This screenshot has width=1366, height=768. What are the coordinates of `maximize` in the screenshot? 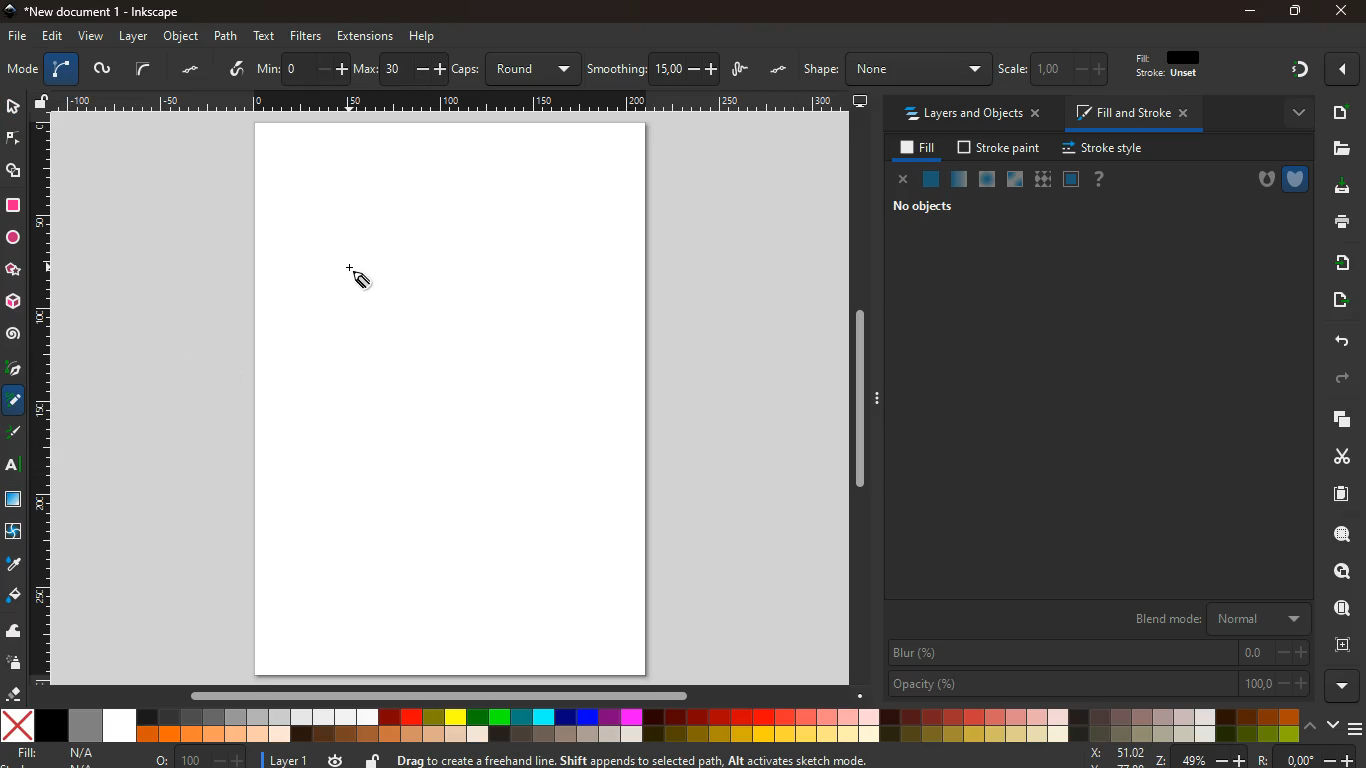 It's located at (1290, 10).